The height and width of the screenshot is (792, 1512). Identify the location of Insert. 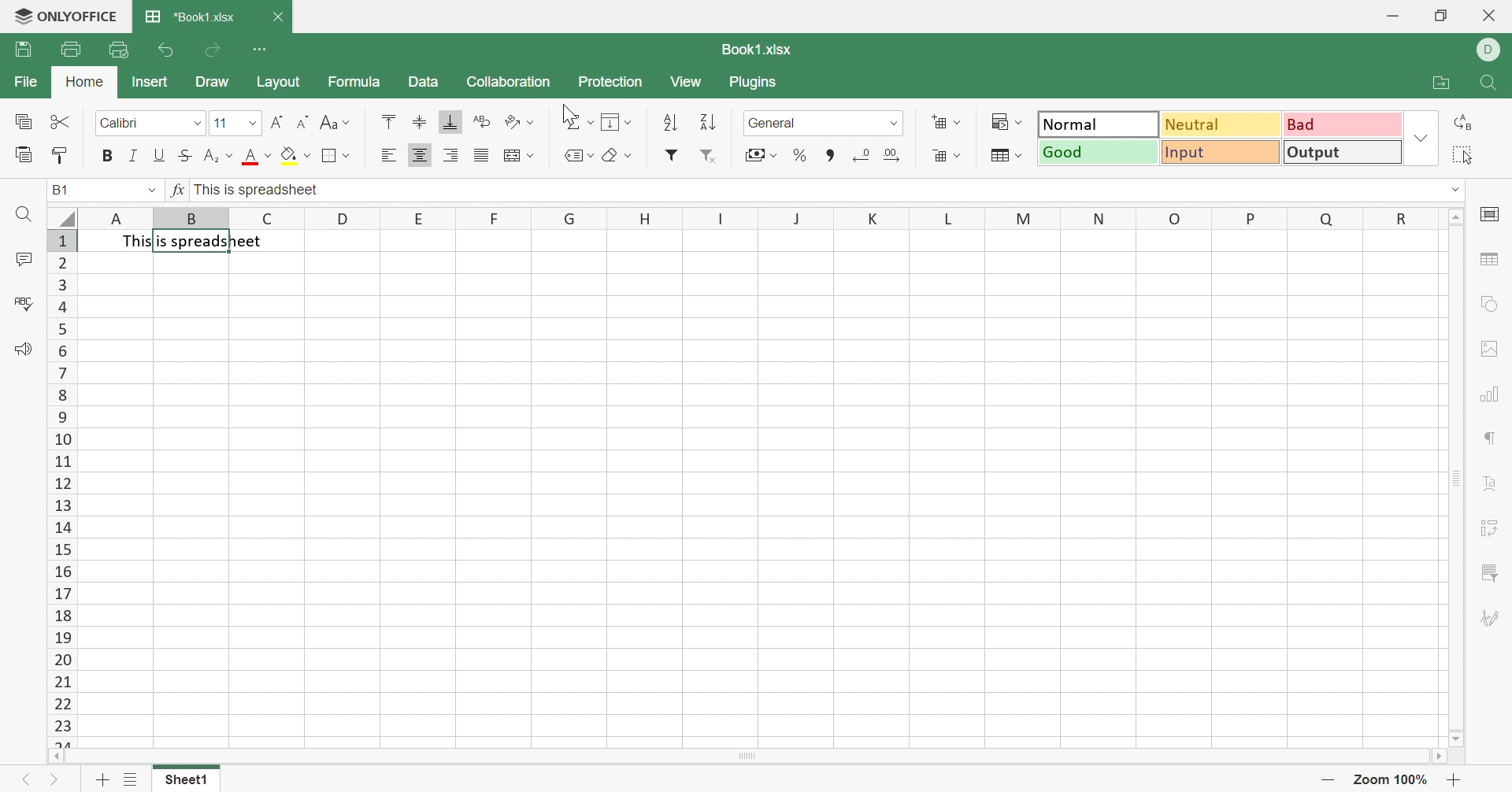
(150, 81).